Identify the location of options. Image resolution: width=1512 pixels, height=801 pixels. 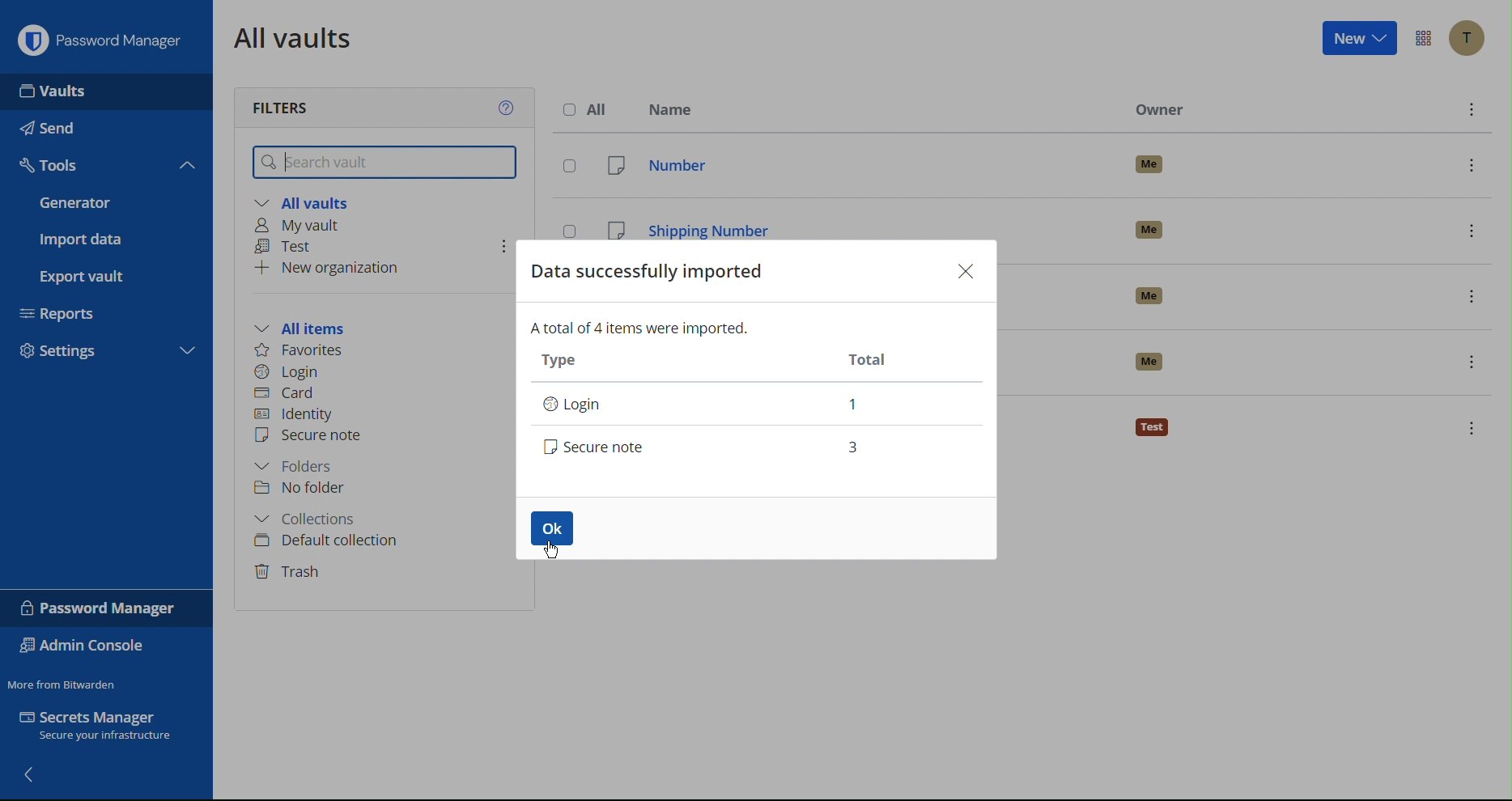
(1474, 109).